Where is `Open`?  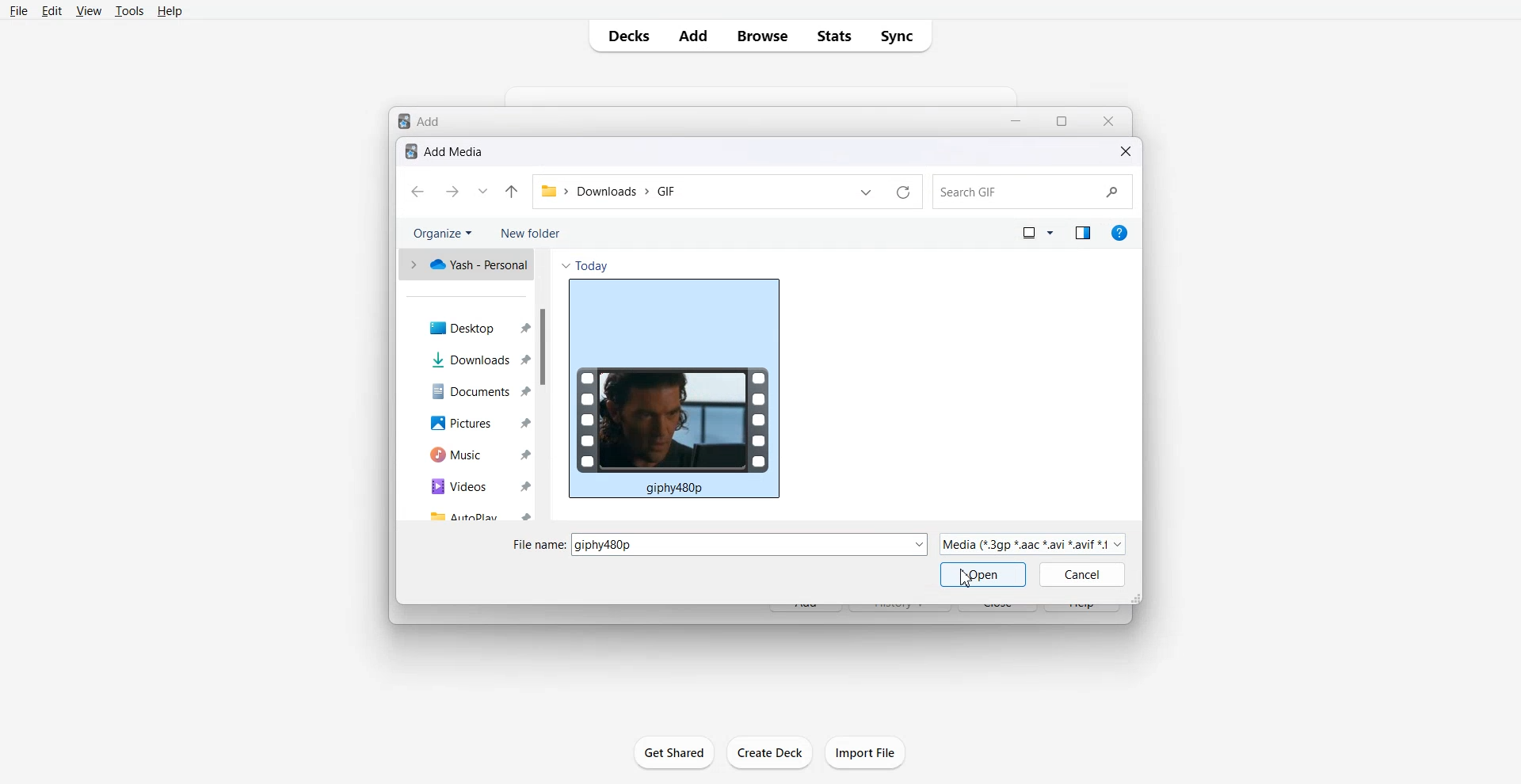 Open is located at coordinates (982, 574).